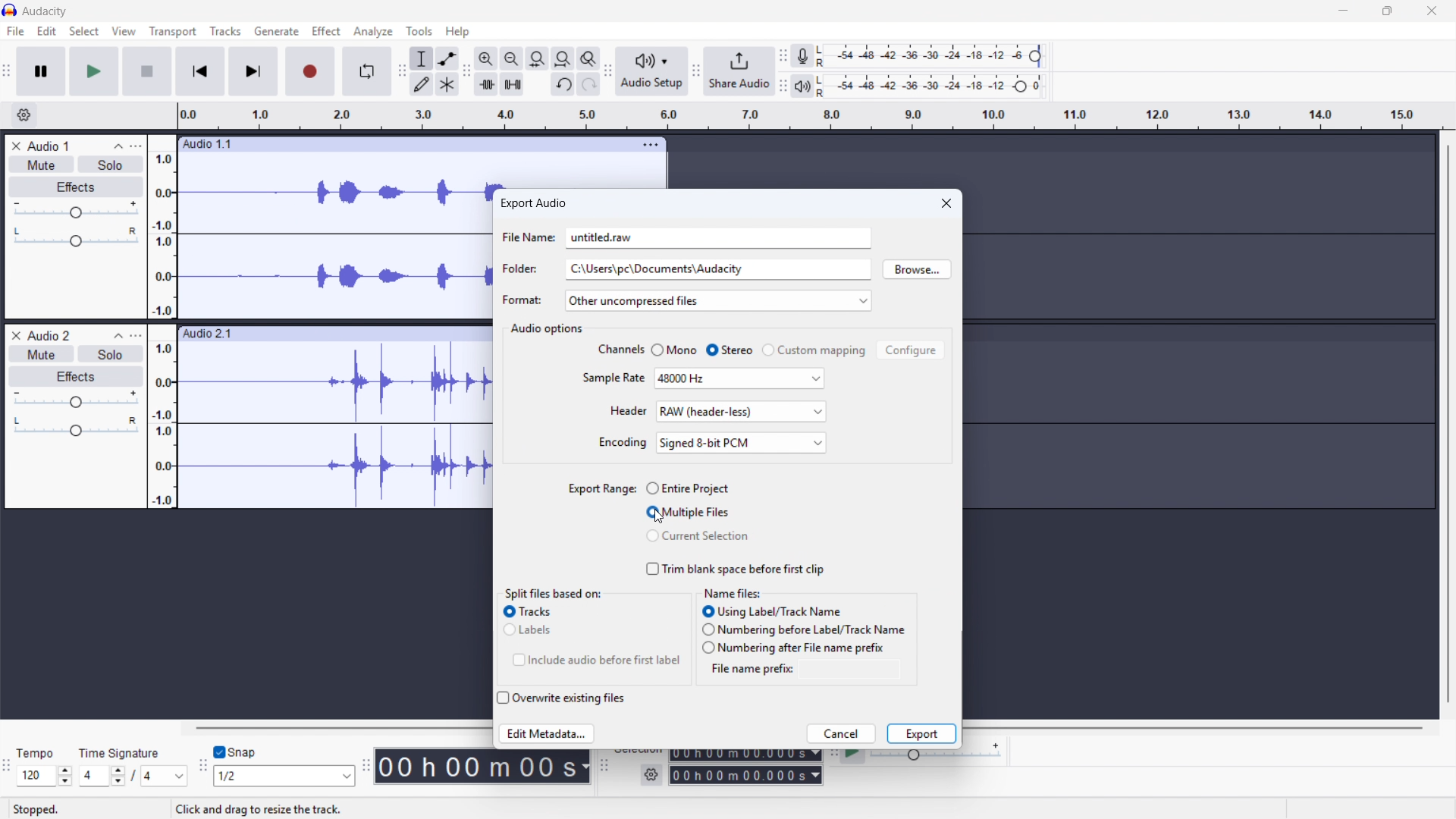 This screenshot has width=1456, height=819. I want to click on Current selection, so click(698, 535).